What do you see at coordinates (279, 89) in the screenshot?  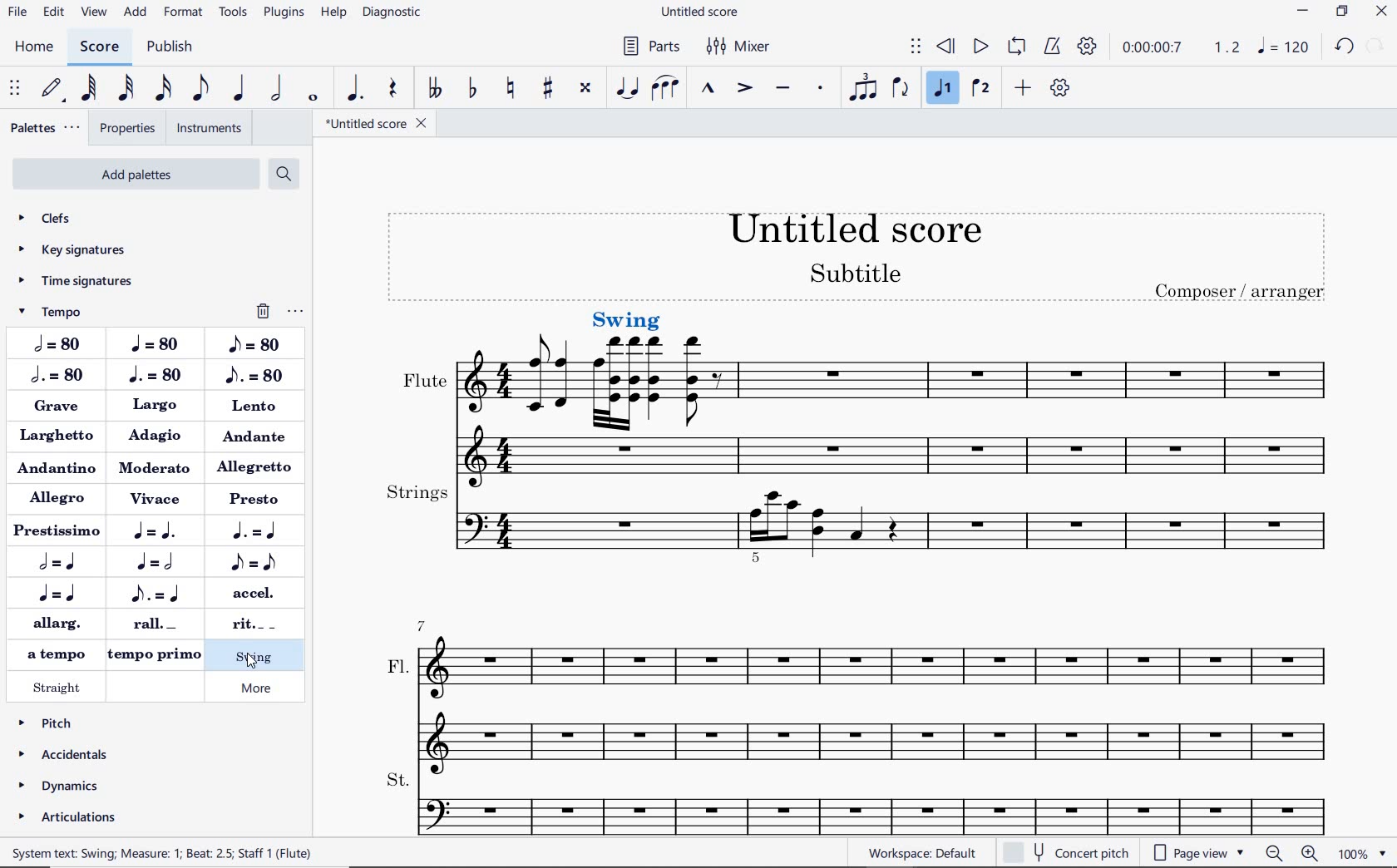 I see `HALF NOTE` at bounding box center [279, 89].